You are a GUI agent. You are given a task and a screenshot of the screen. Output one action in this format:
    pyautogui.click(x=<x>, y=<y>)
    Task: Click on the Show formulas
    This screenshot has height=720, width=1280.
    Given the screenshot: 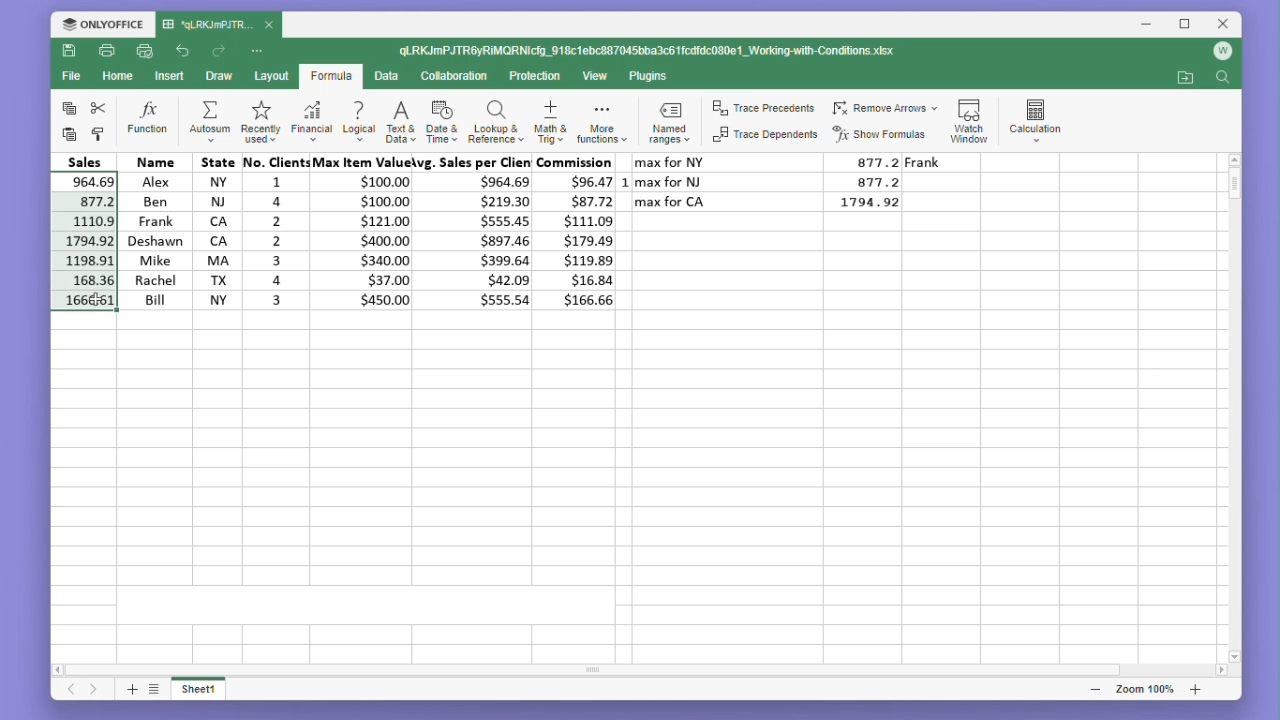 What is the action you would take?
    pyautogui.click(x=881, y=135)
    